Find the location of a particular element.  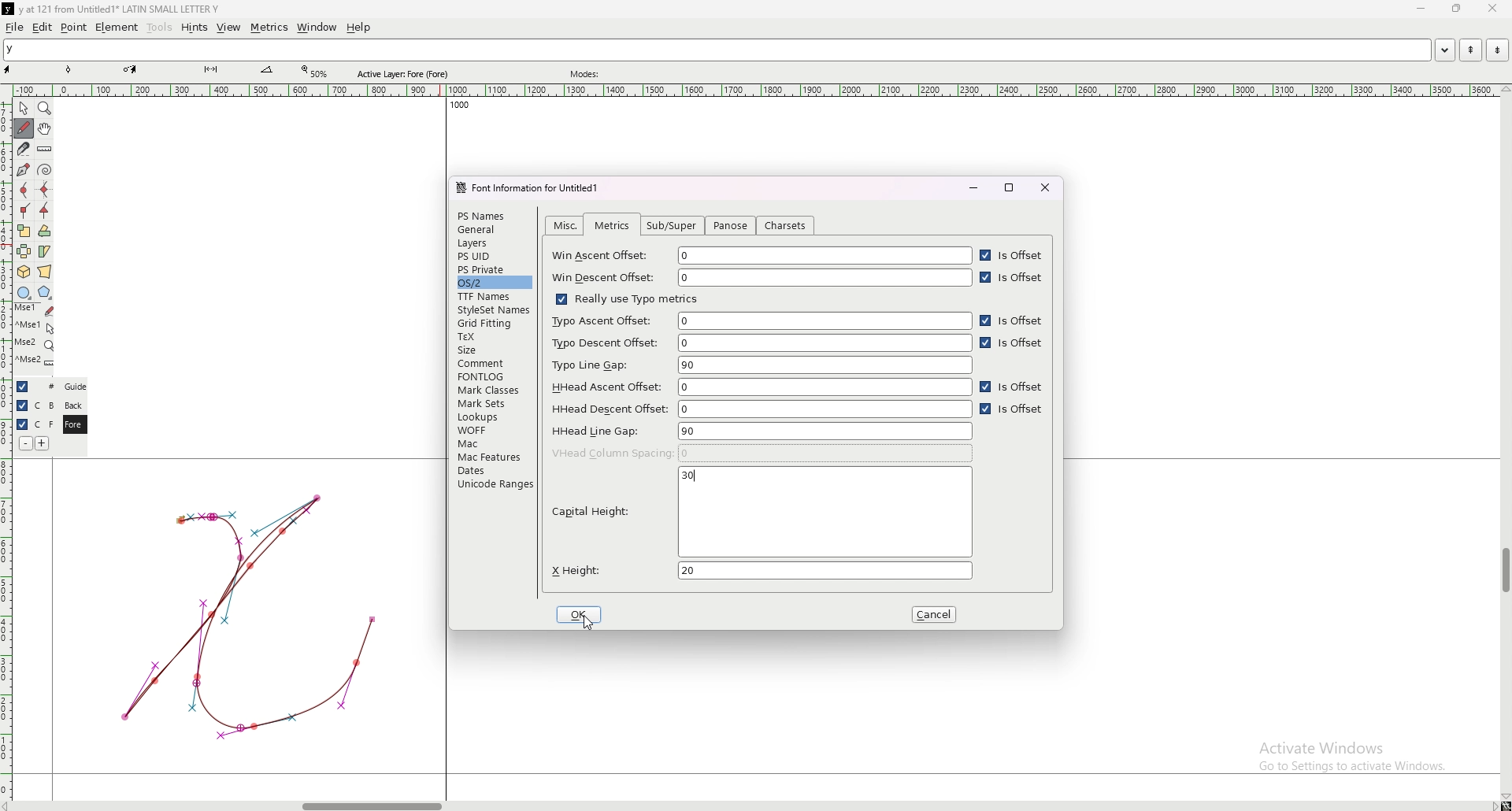

zoom percentage is located at coordinates (317, 72).